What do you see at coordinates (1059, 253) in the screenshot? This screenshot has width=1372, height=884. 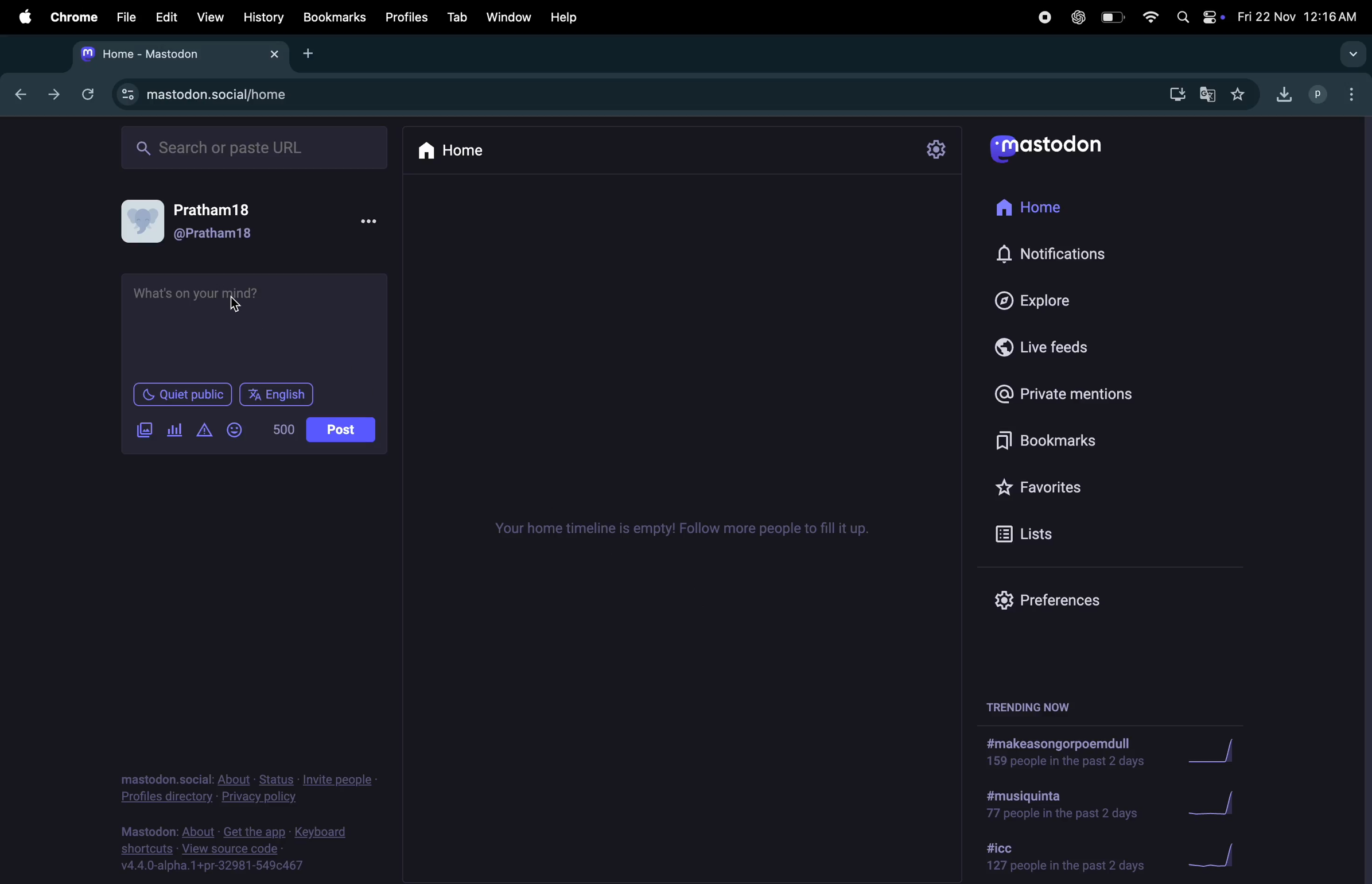 I see `notifications` at bounding box center [1059, 253].